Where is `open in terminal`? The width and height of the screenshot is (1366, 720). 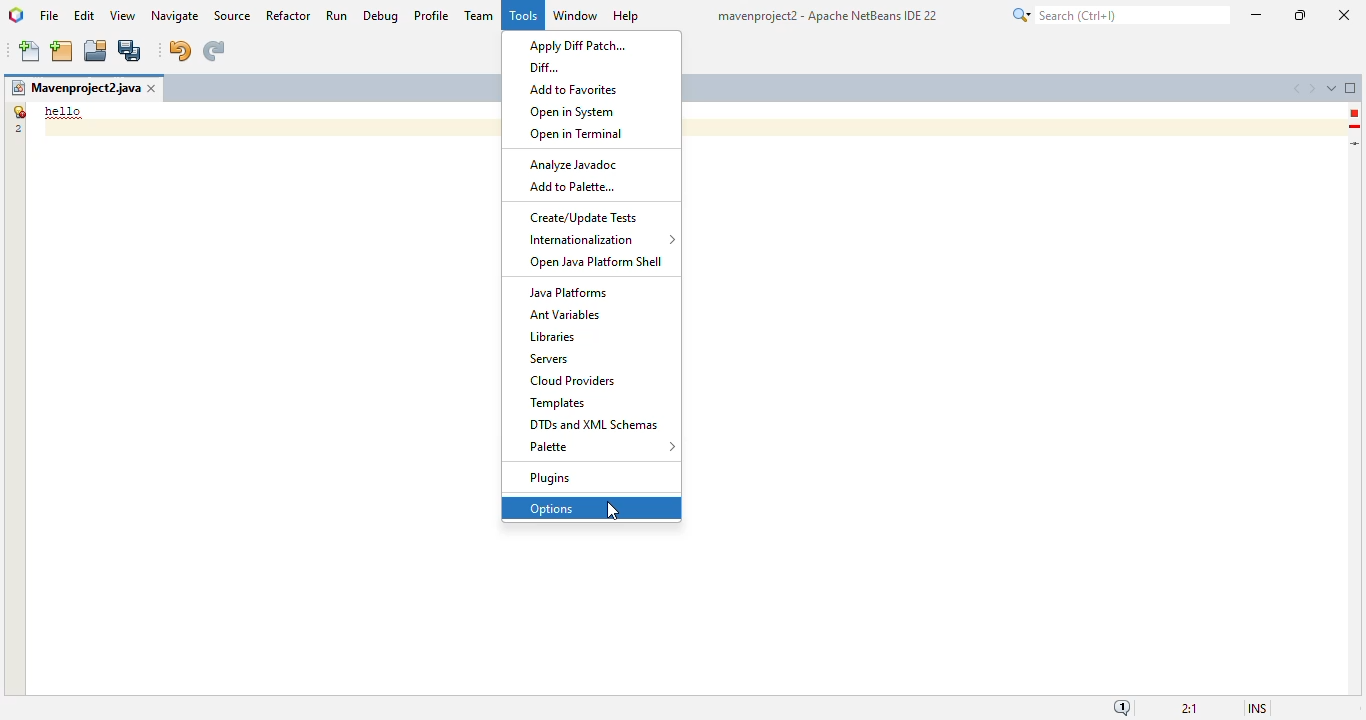
open in terminal is located at coordinates (578, 134).